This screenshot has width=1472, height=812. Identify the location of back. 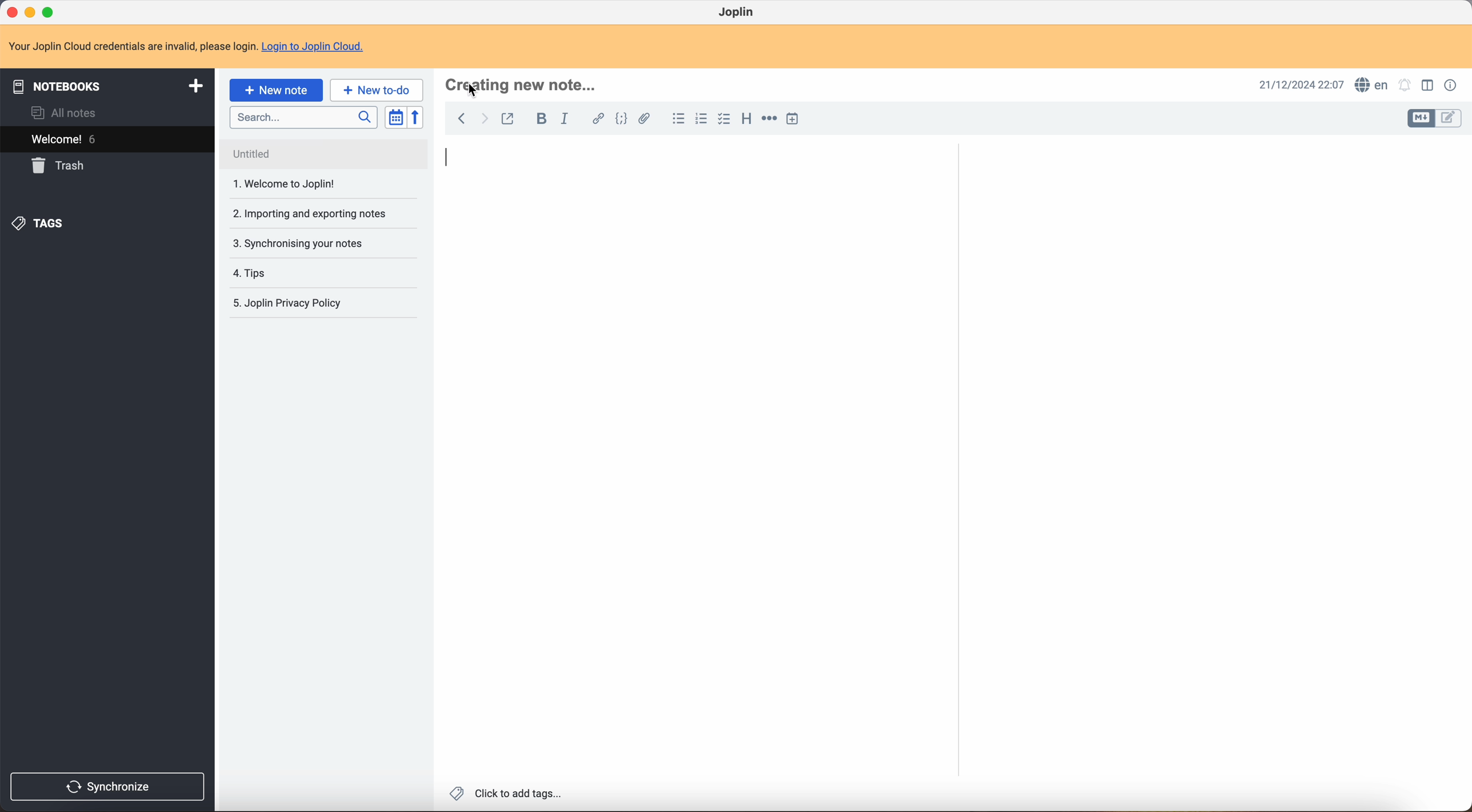
(461, 120).